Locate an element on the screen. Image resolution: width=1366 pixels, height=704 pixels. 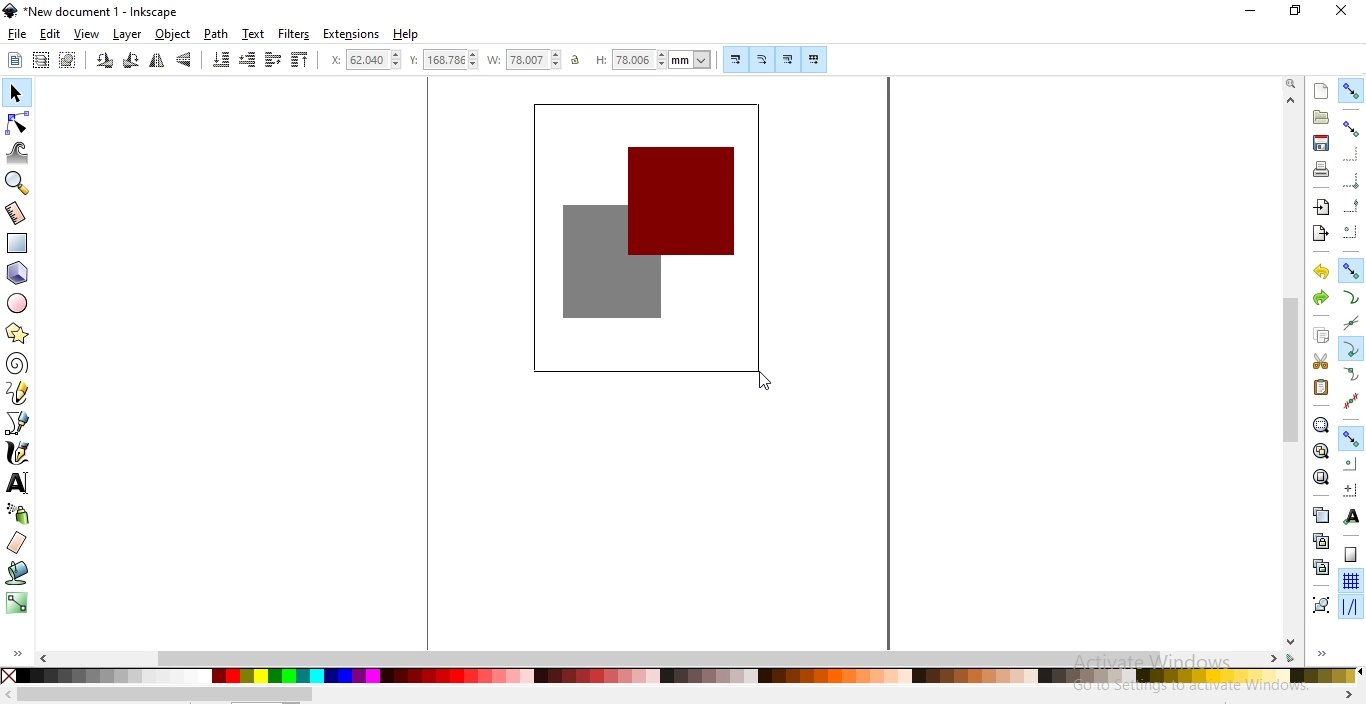
enable snapping is located at coordinates (1352, 90).